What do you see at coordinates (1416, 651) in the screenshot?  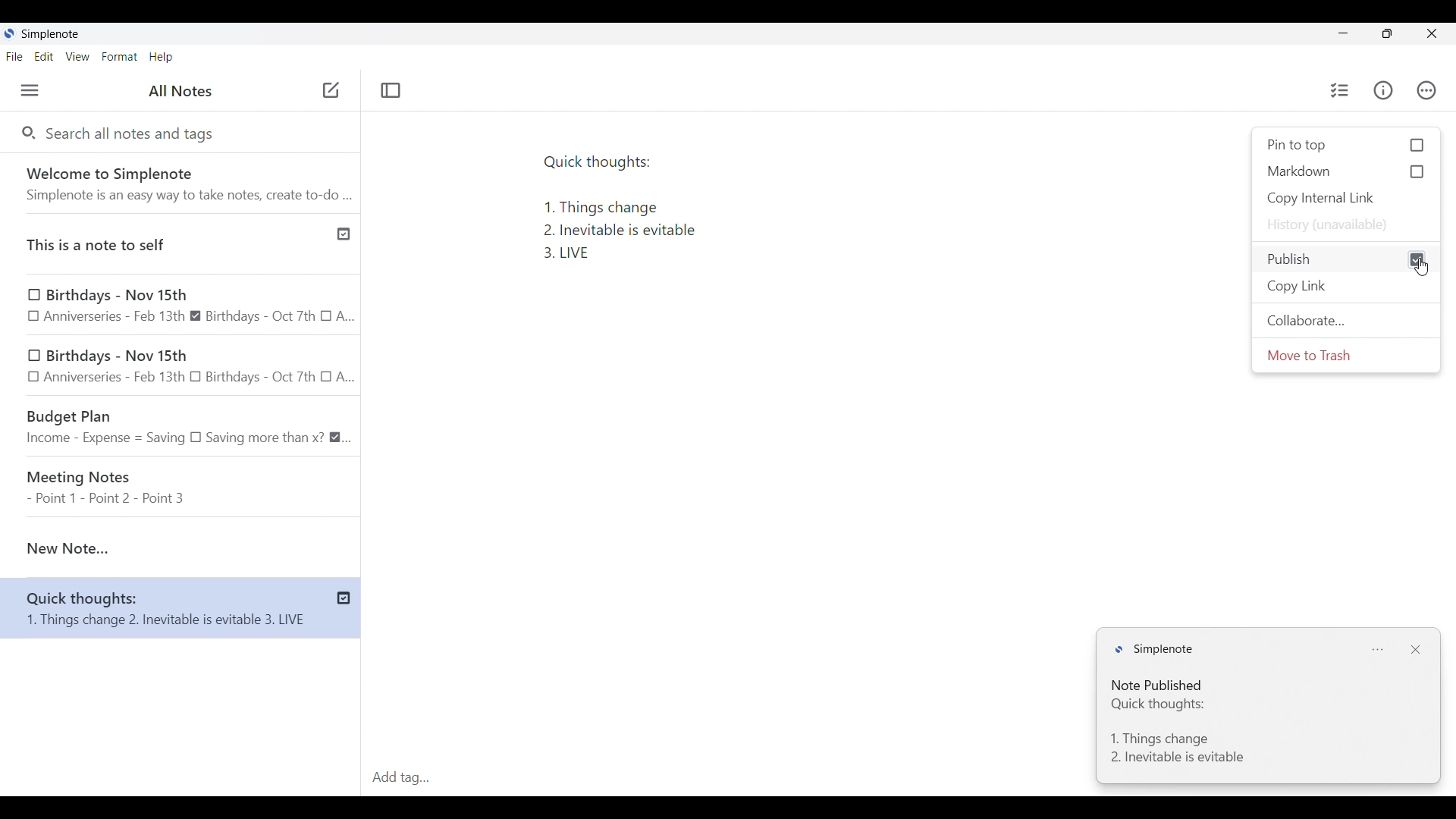 I see `Close notification window` at bounding box center [1416, 651].